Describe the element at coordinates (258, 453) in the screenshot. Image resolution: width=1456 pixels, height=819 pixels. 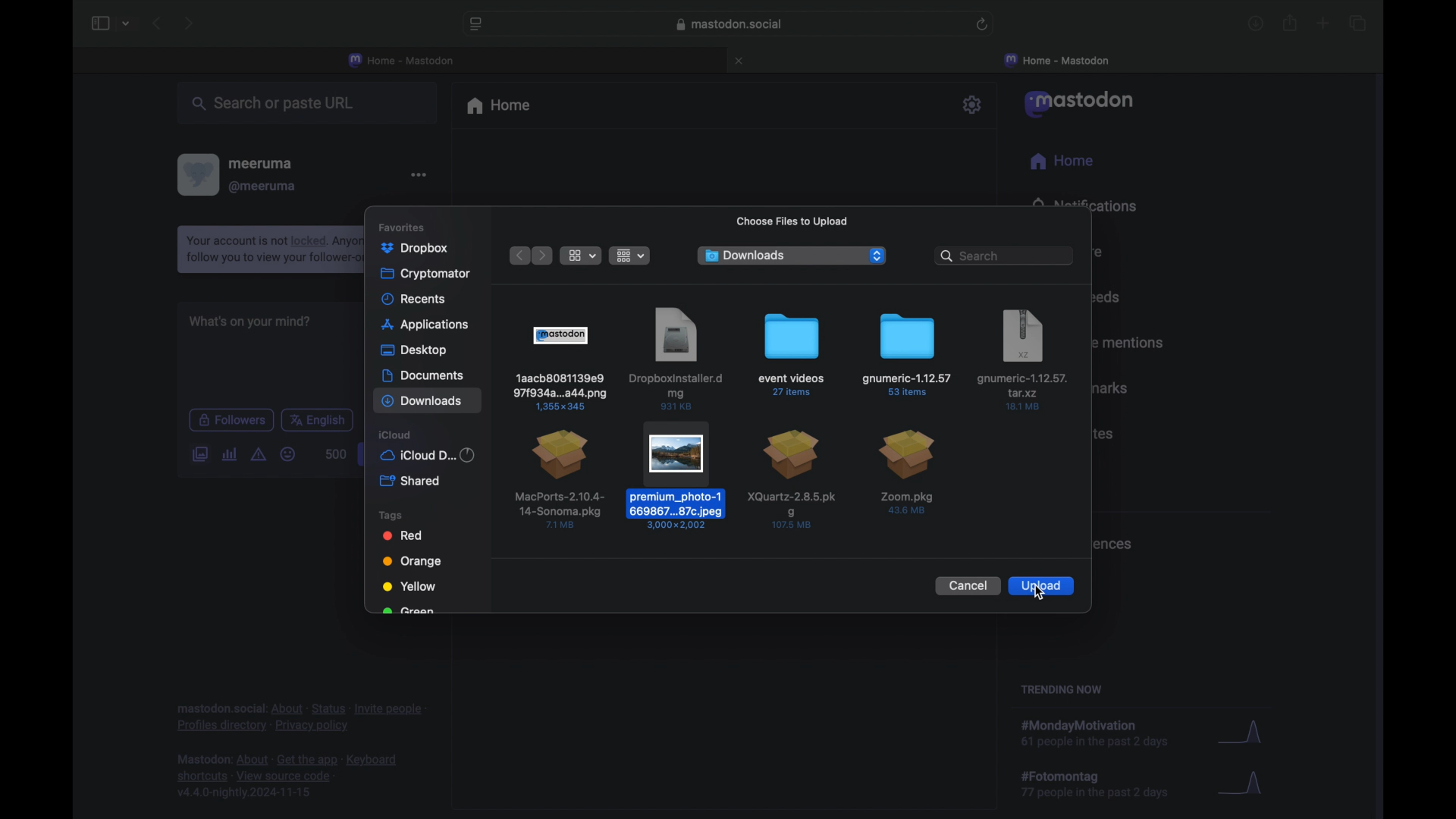
I see `add content  warning` at that location.